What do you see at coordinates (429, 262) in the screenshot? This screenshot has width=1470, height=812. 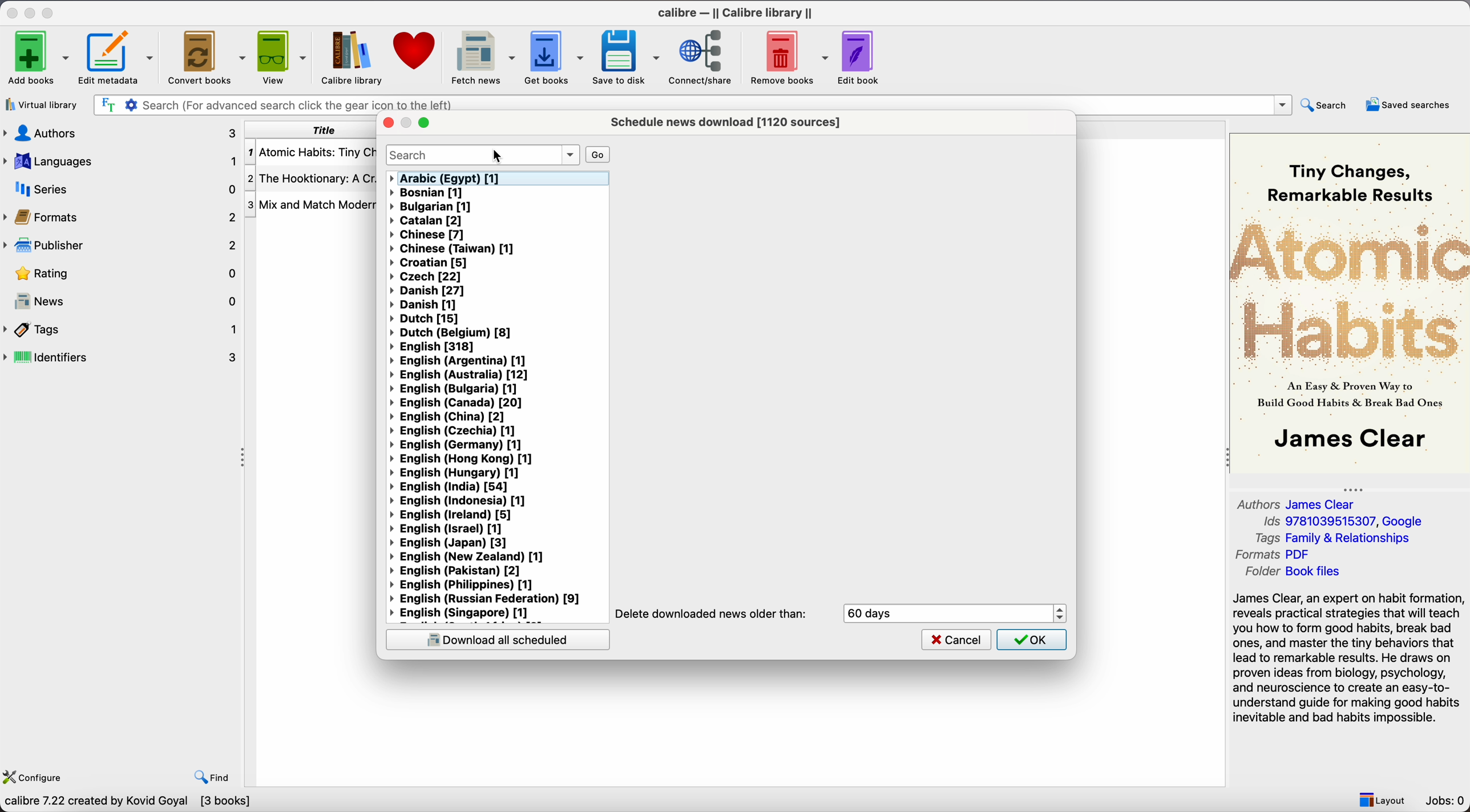 I see `Croatian` at bounding box center [429, 262].